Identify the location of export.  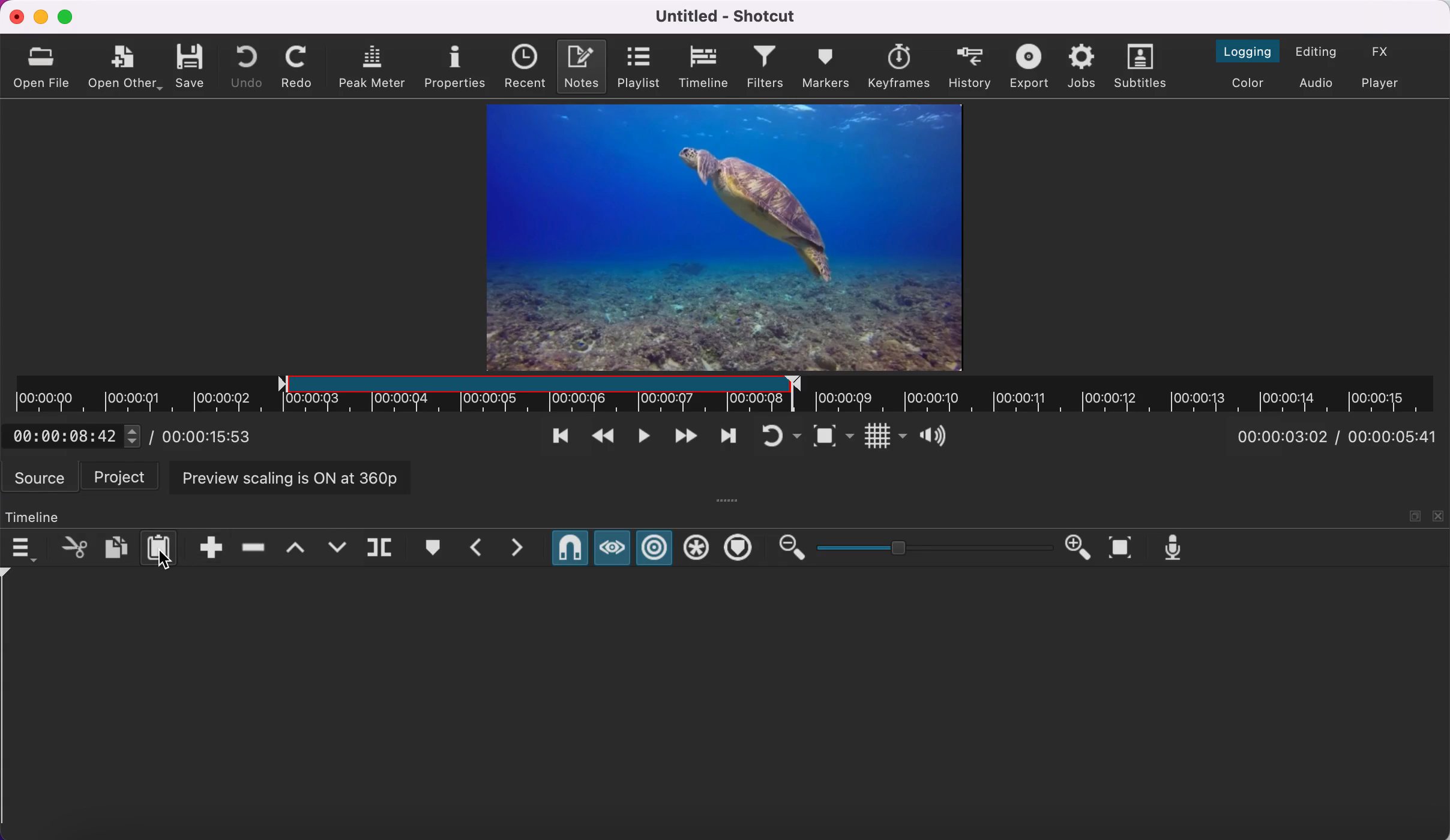
(1027, 67).